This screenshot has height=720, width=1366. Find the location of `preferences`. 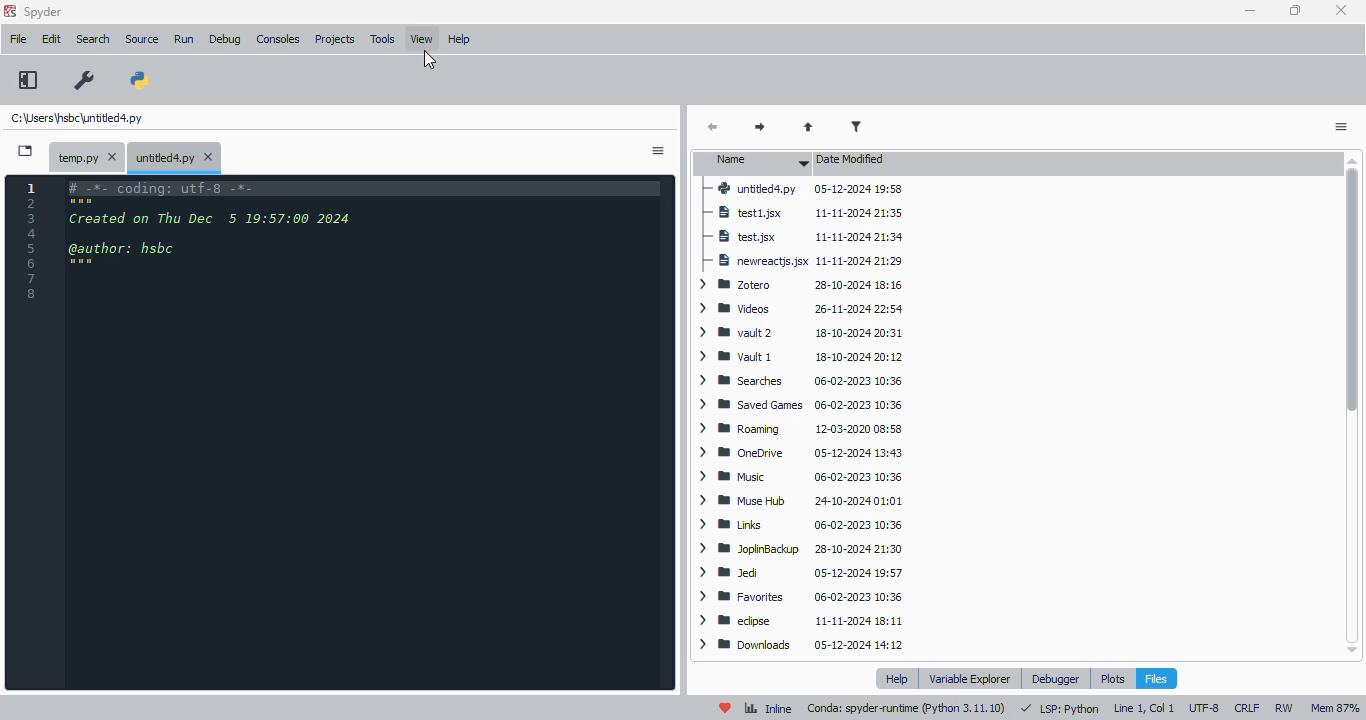

preferences is located at coordinates (85, 81).